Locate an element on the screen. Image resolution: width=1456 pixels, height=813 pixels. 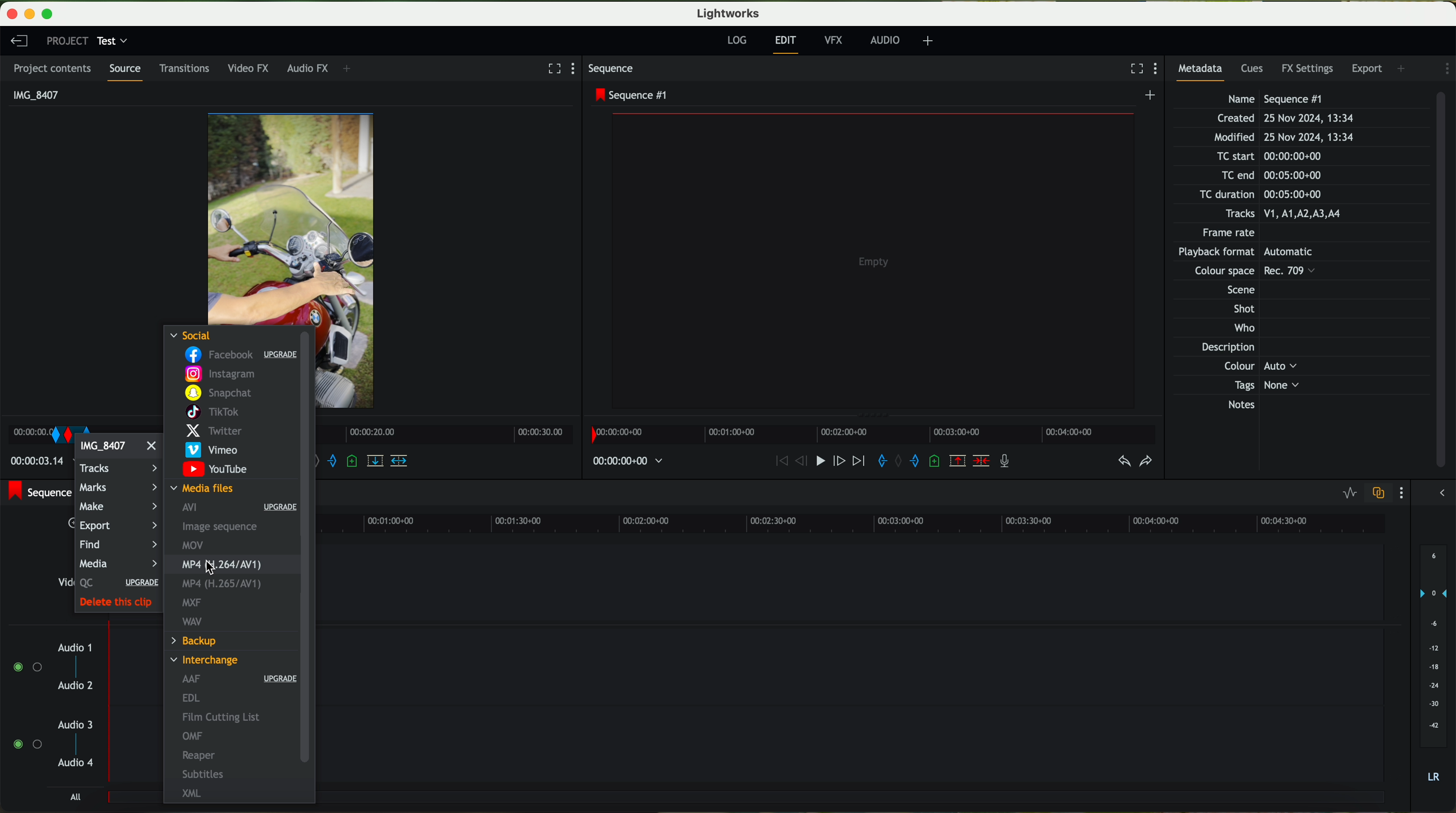
media files is located at coordinates (205, 490).